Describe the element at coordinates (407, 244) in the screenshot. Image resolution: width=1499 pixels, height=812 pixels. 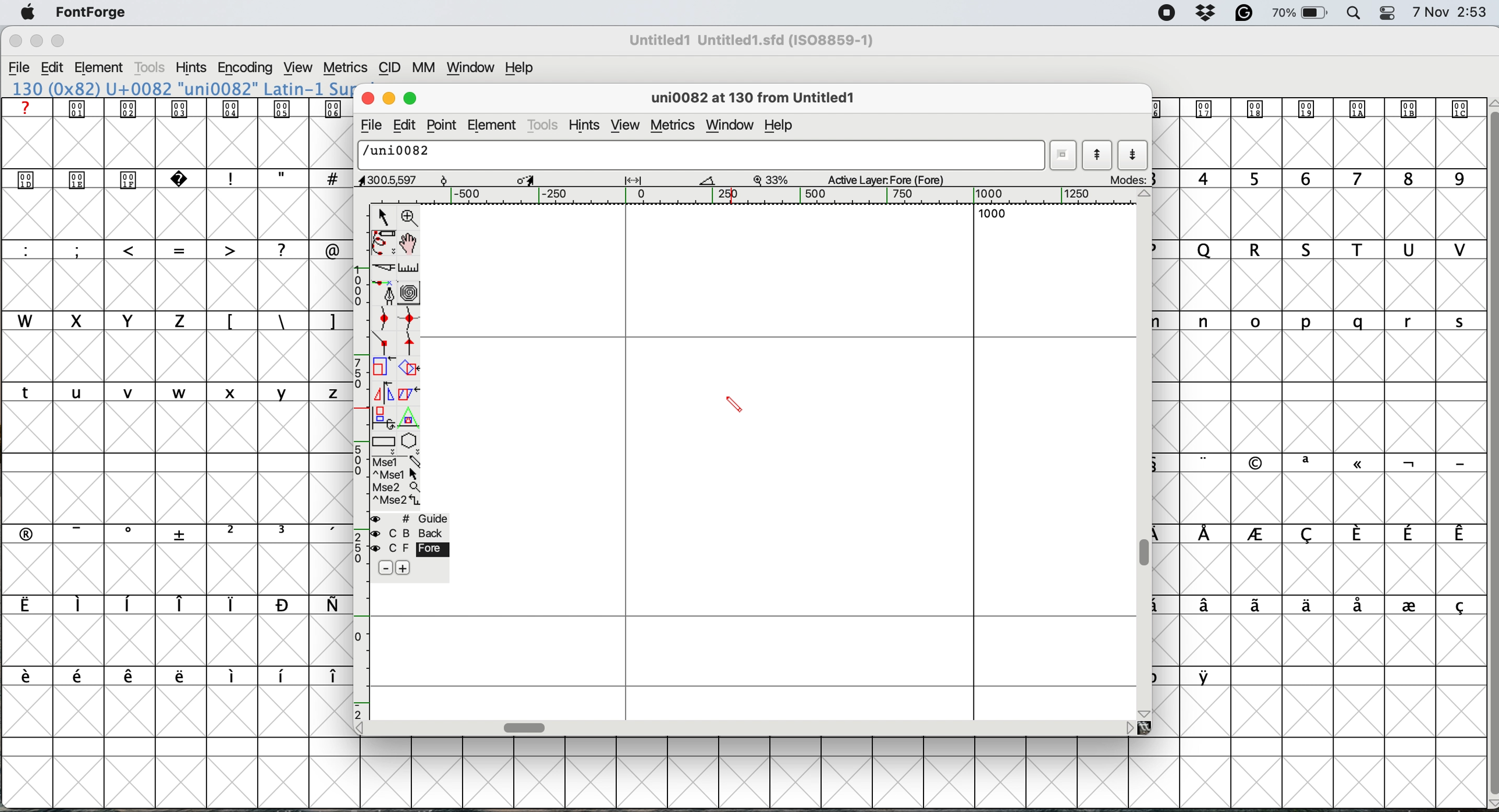
I see `scroll by hand` at that location.